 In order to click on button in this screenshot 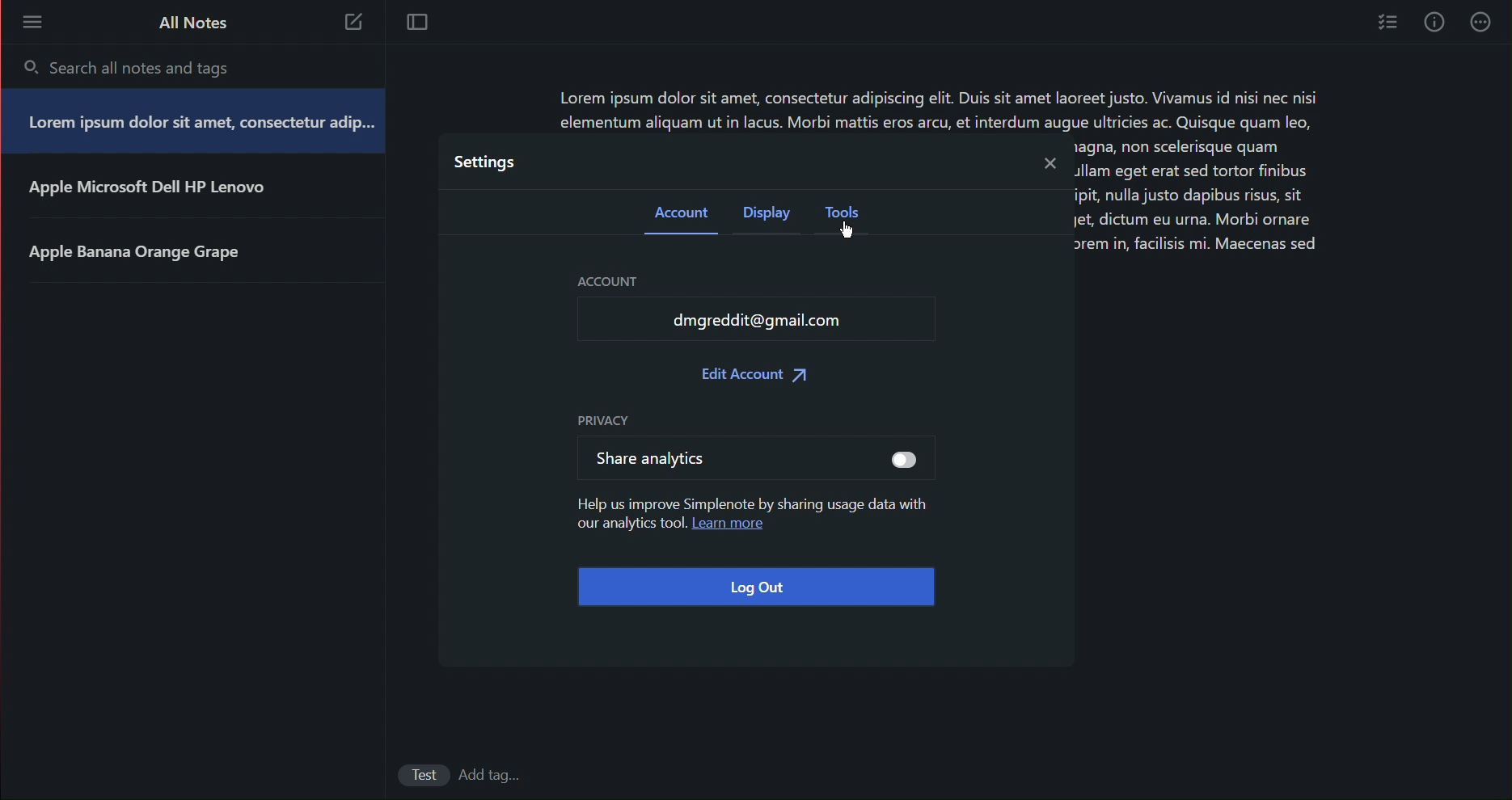, I will do `click(892, 460)`.